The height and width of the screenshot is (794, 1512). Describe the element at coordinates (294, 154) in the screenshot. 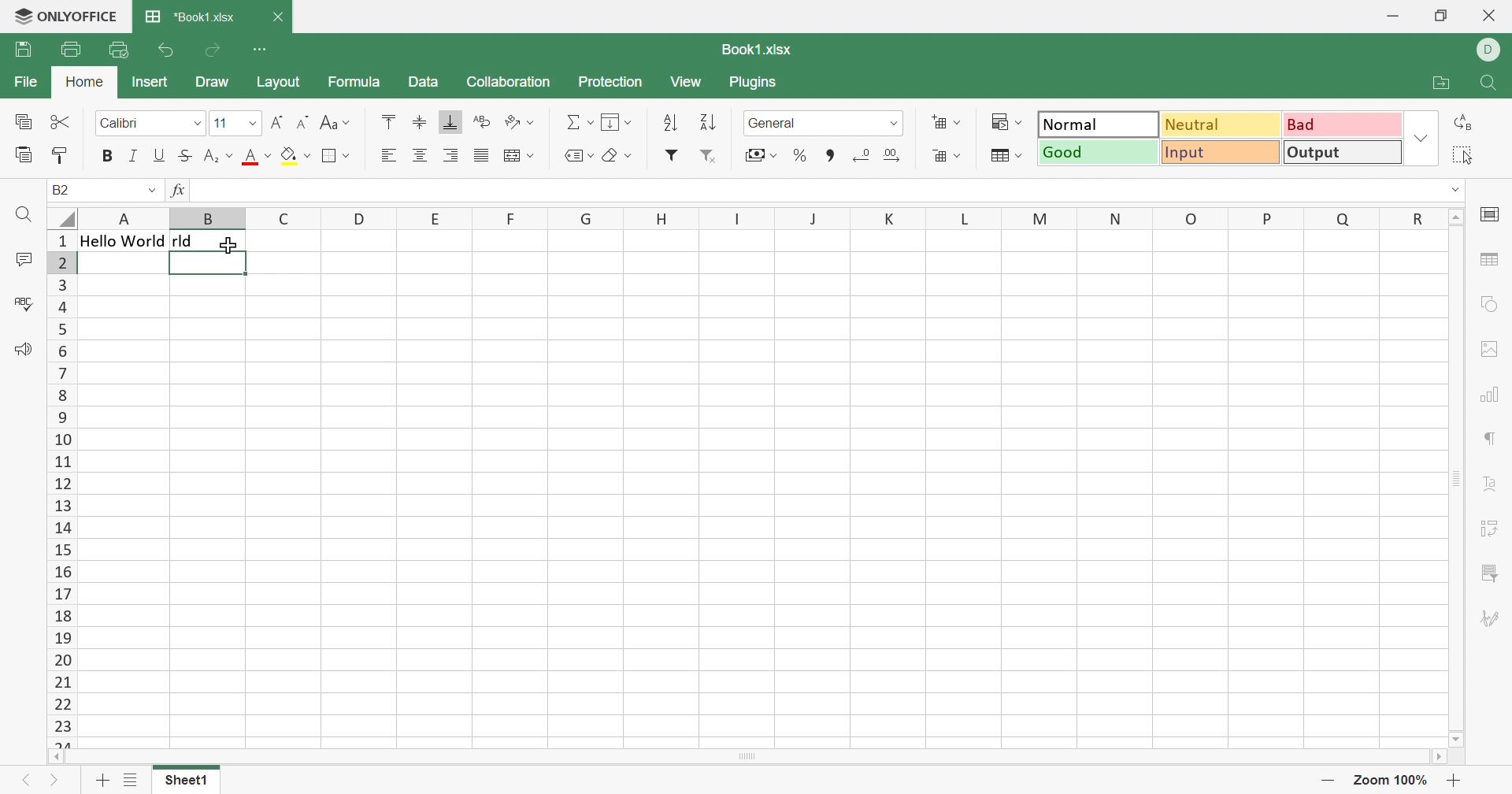

I see `Fill color` at that location.